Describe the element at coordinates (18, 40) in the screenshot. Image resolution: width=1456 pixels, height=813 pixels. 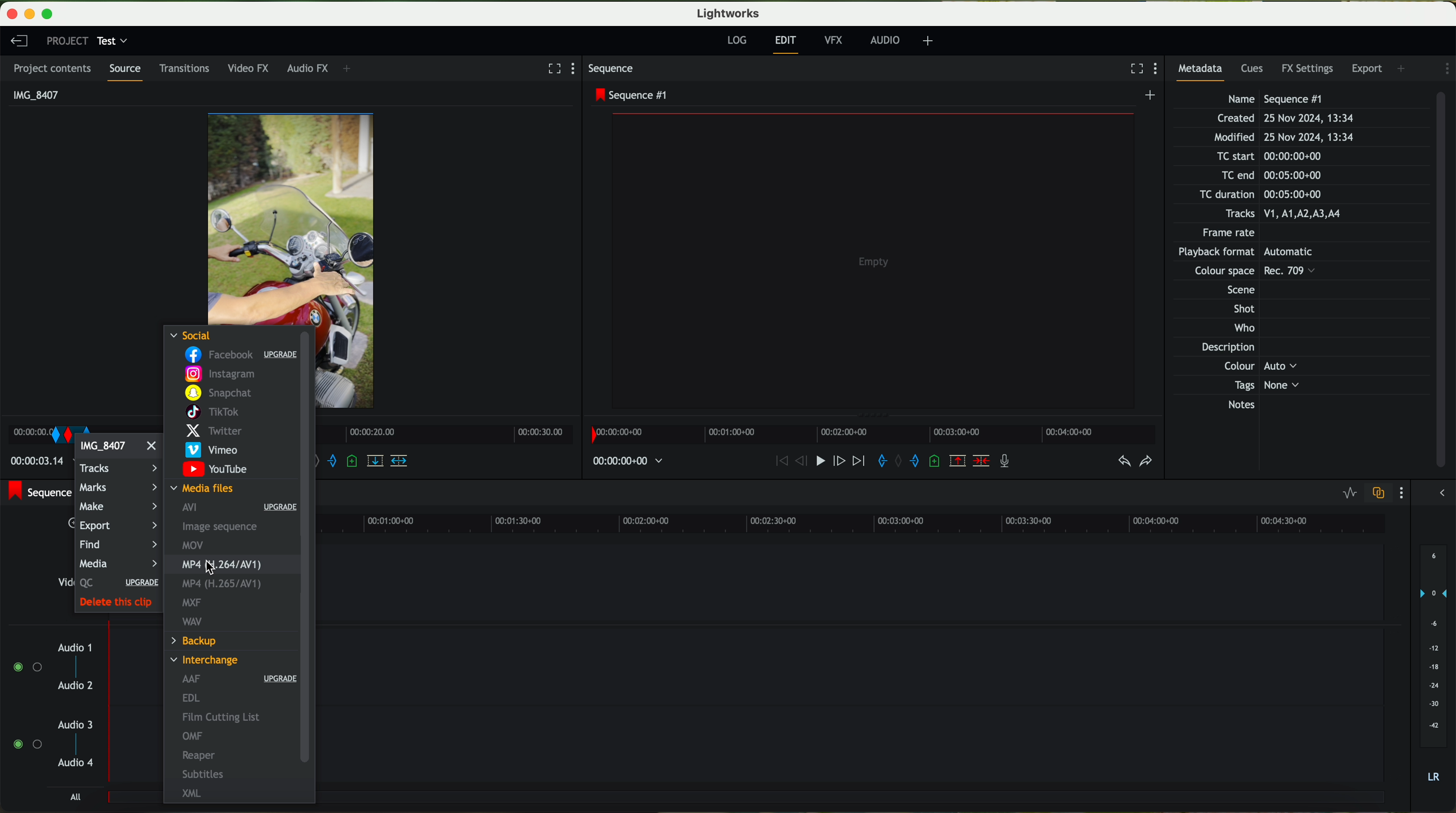
I see `leave` at that location.